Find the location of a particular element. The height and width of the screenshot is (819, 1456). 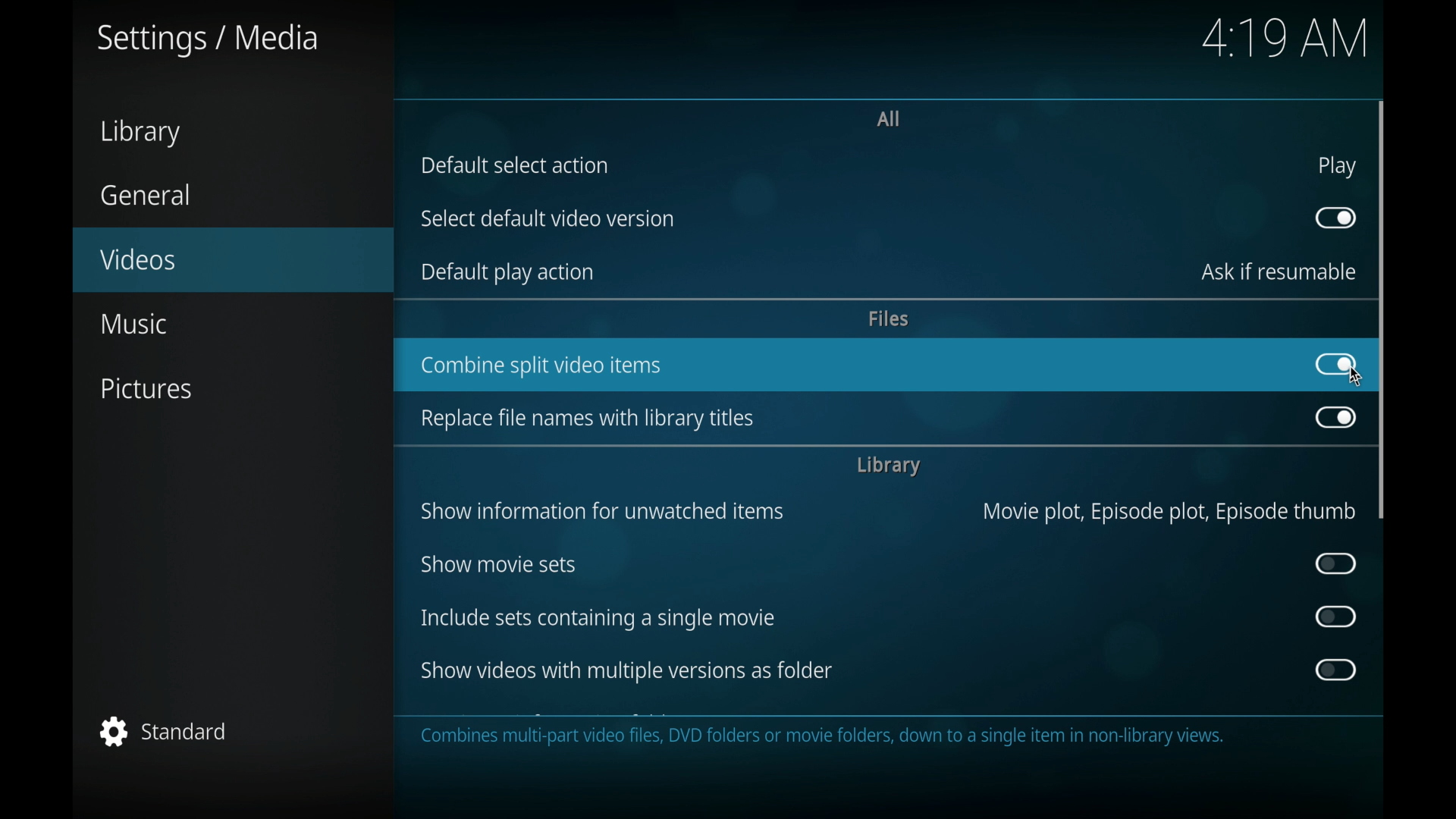

time is located at coordinates (1288, 39).